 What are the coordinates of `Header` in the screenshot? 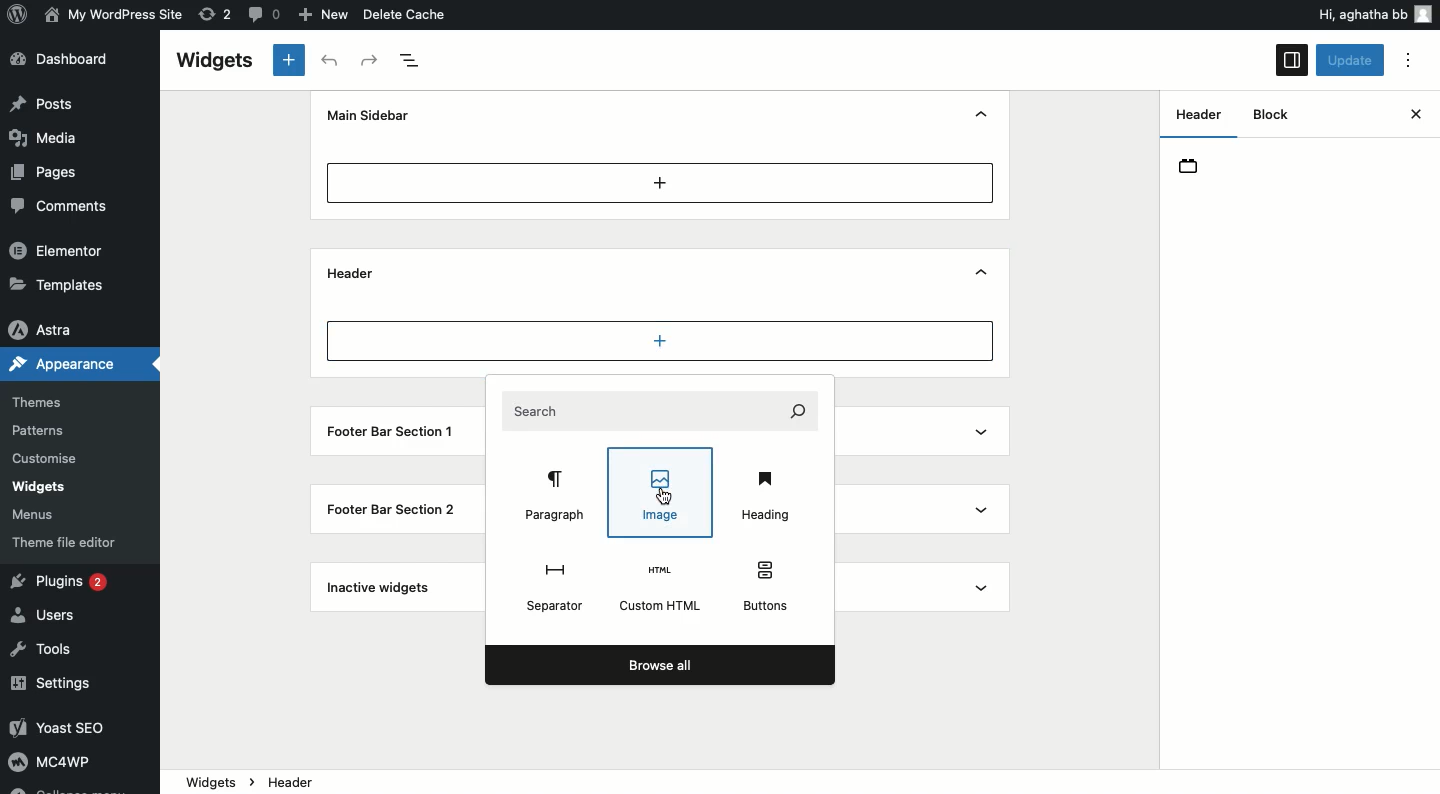 It's located at (1192, 166).